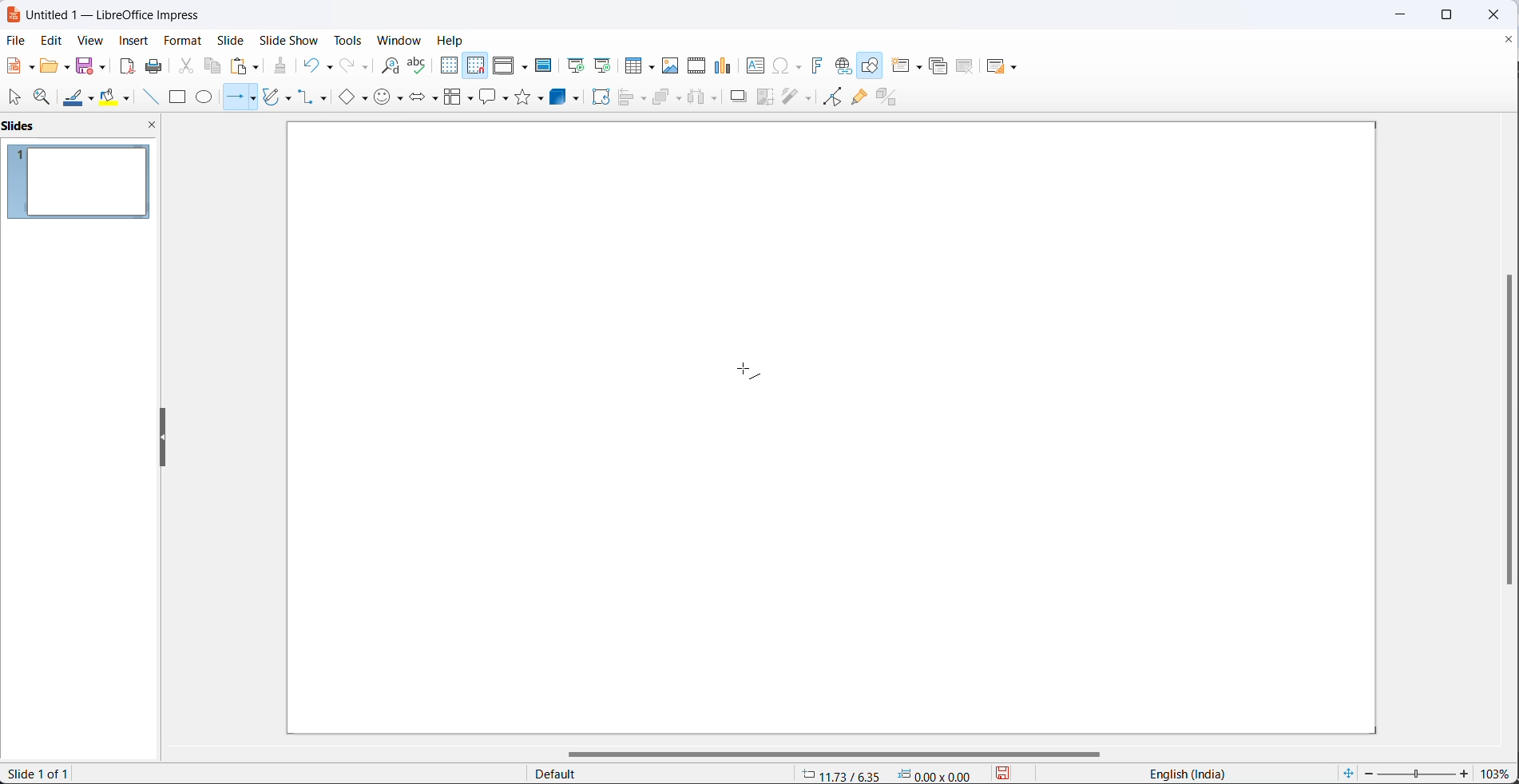  I want to click on slide preview, so click(83, 181).